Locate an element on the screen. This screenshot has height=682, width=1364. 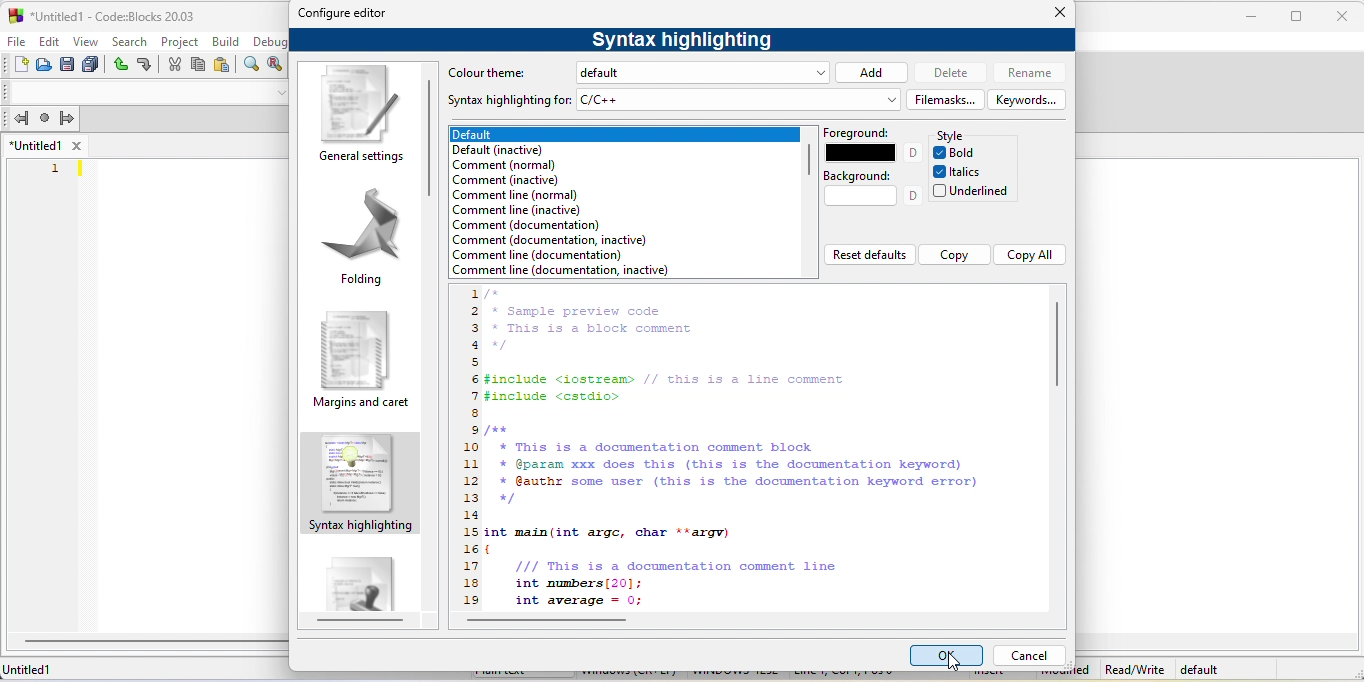
c/c++ is located at coordinates (737, 100).